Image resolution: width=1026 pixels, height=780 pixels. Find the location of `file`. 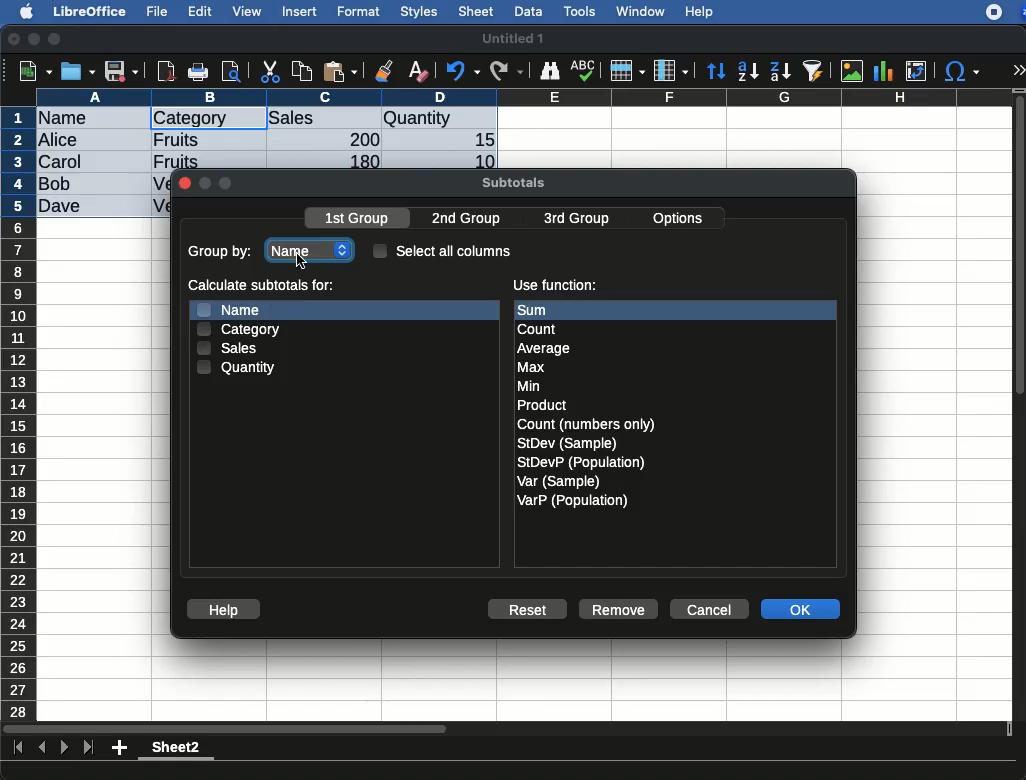

file is located at coordinates (154, 12).